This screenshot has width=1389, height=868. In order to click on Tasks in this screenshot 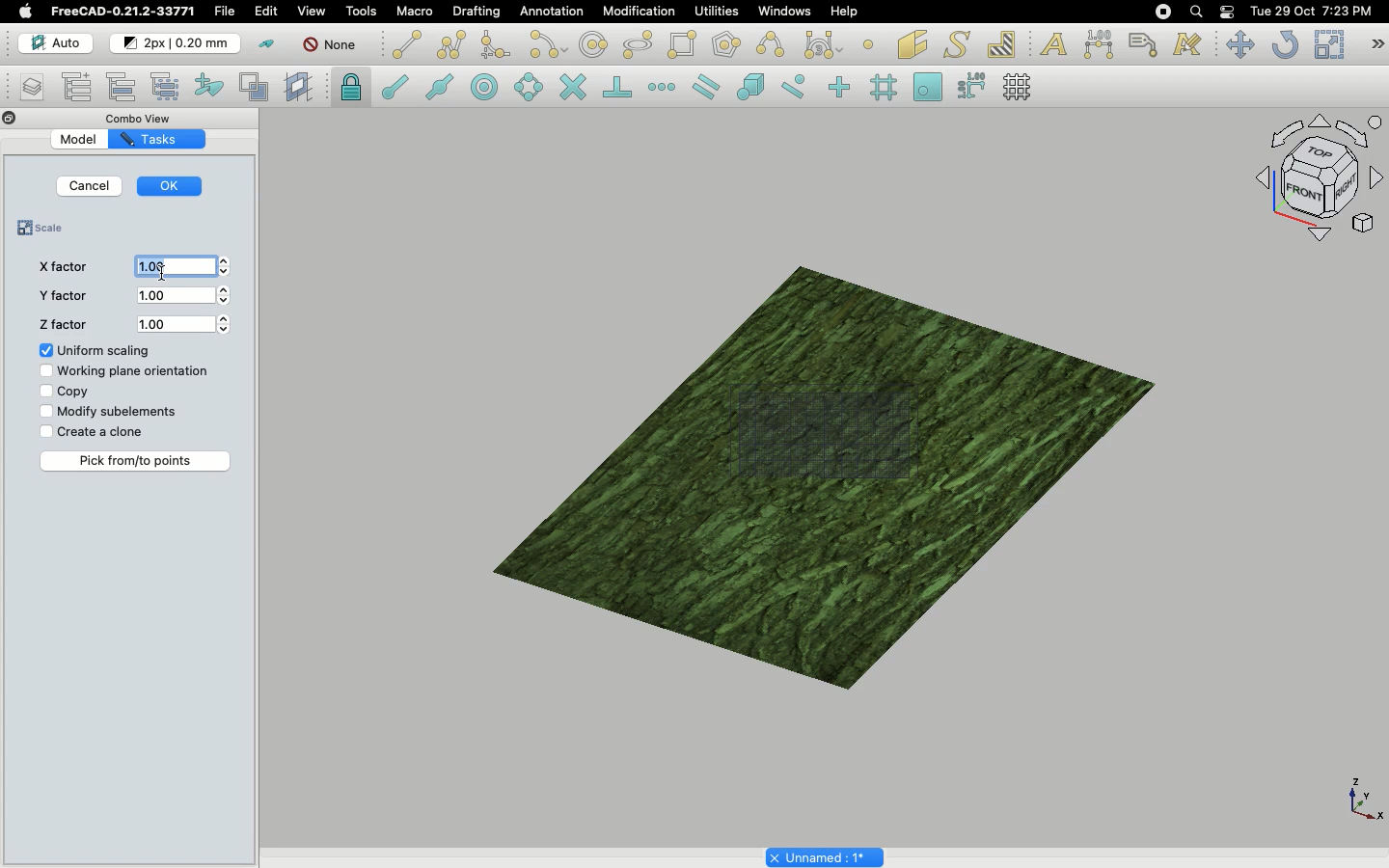, I will do `click(151, 139)`.